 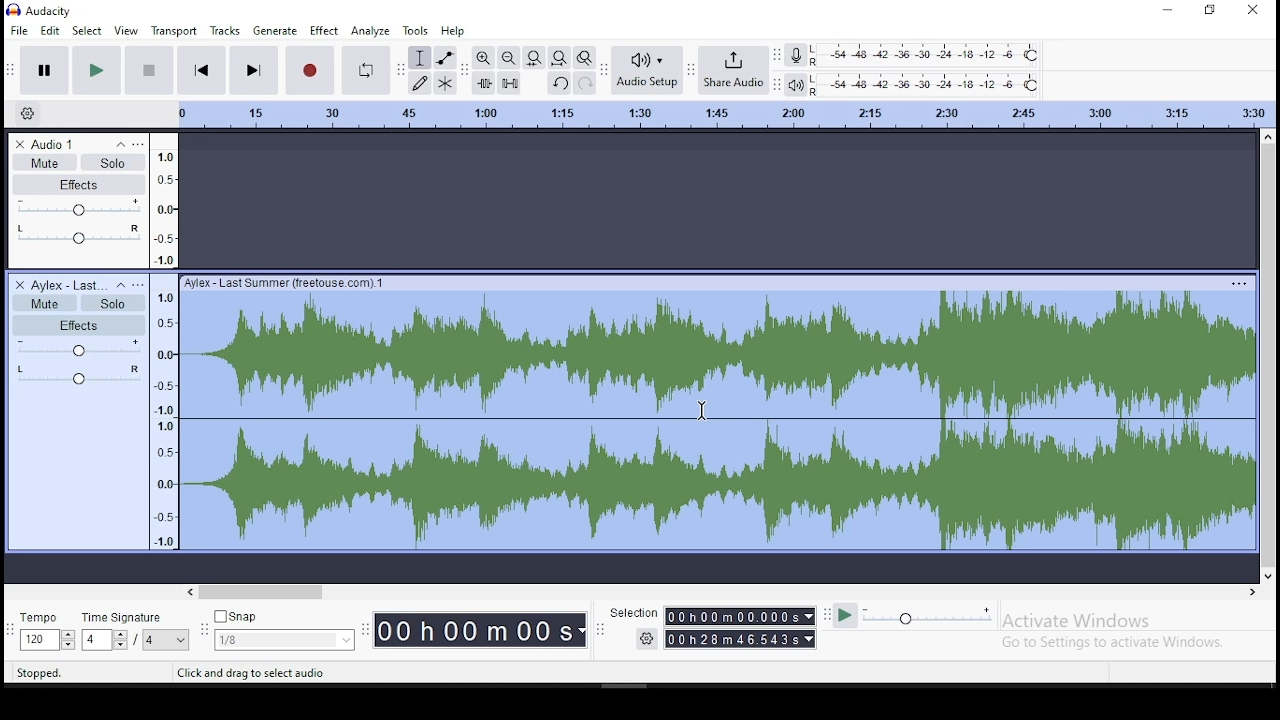 I want to click on collapse, so click(x=121, y=286).